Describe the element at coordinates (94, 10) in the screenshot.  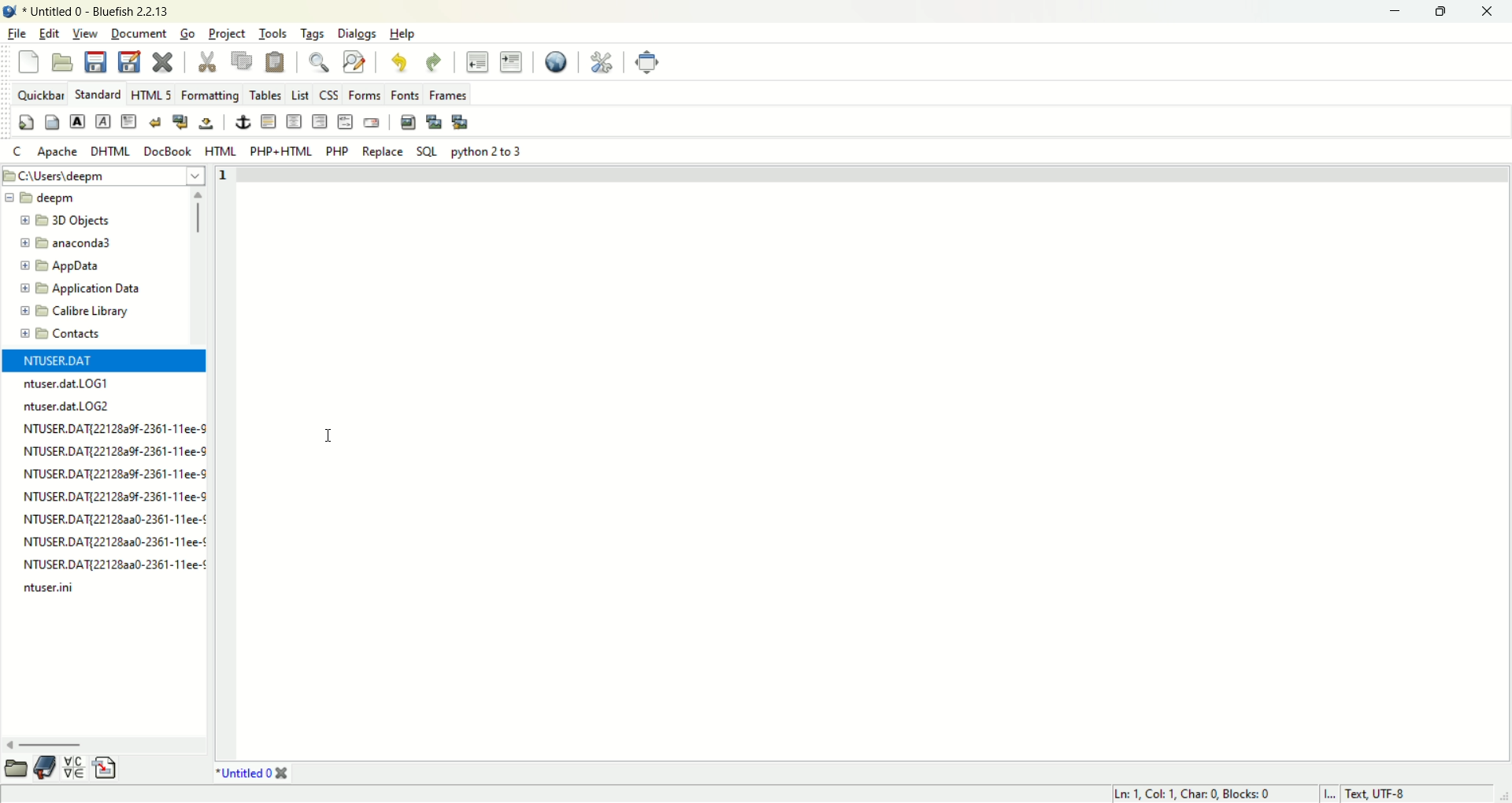
I see `document name` at that location.